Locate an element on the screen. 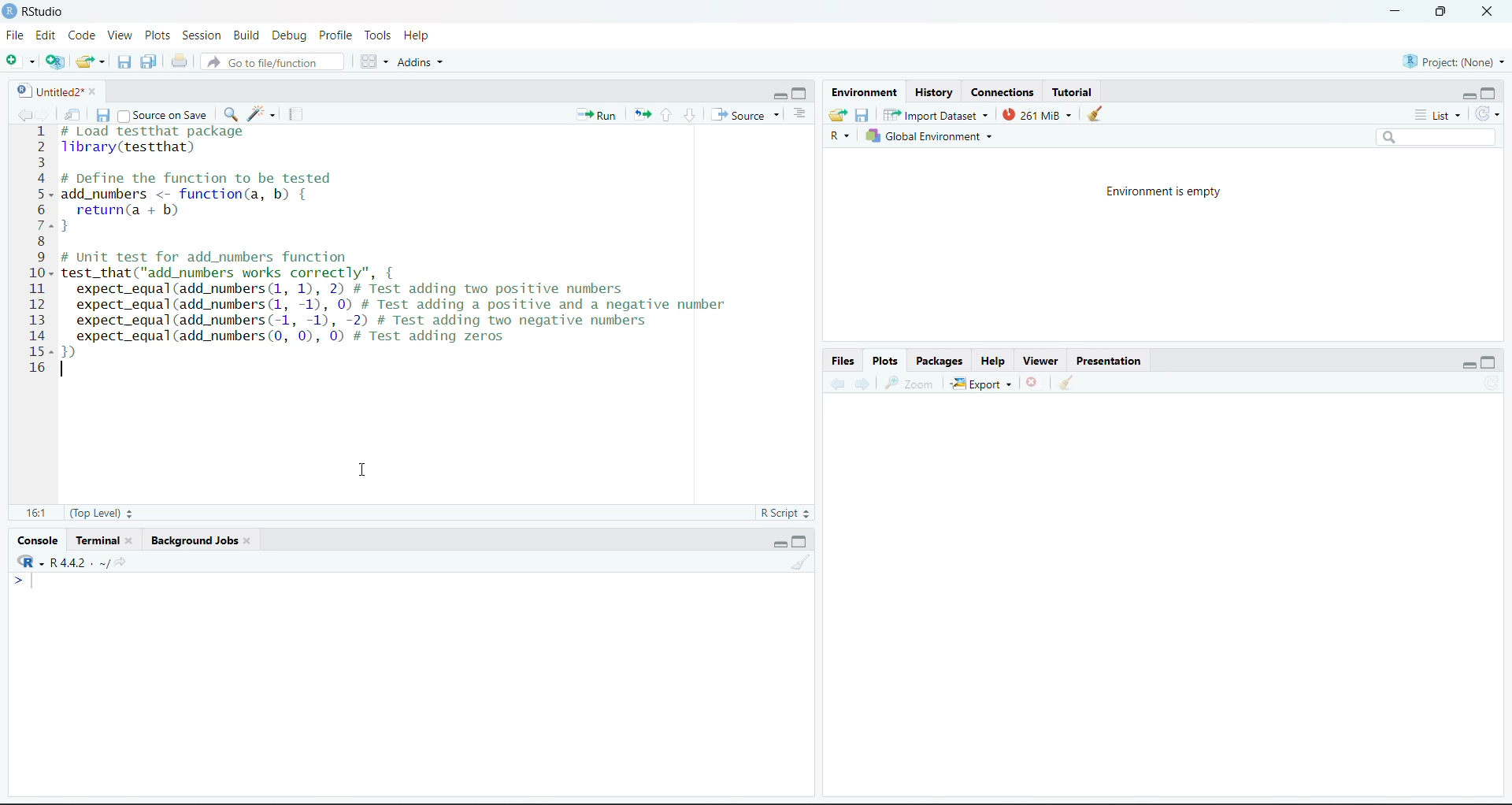 The image size is (1512, 805). Zoom is located at coordinates (910, 383).